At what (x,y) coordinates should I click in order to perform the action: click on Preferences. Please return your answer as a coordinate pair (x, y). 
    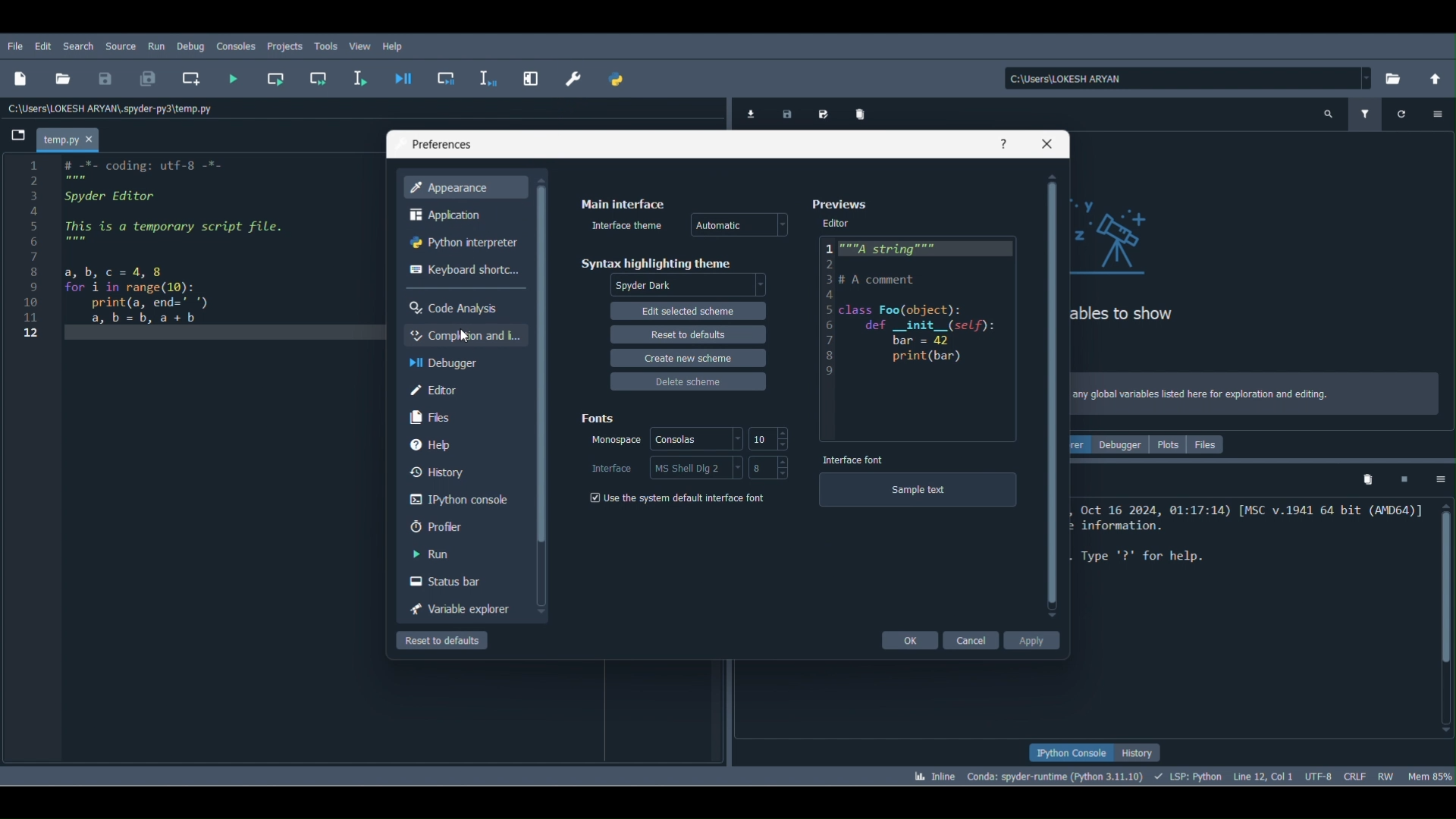
    Looking at the image, I should click on (573, 80).